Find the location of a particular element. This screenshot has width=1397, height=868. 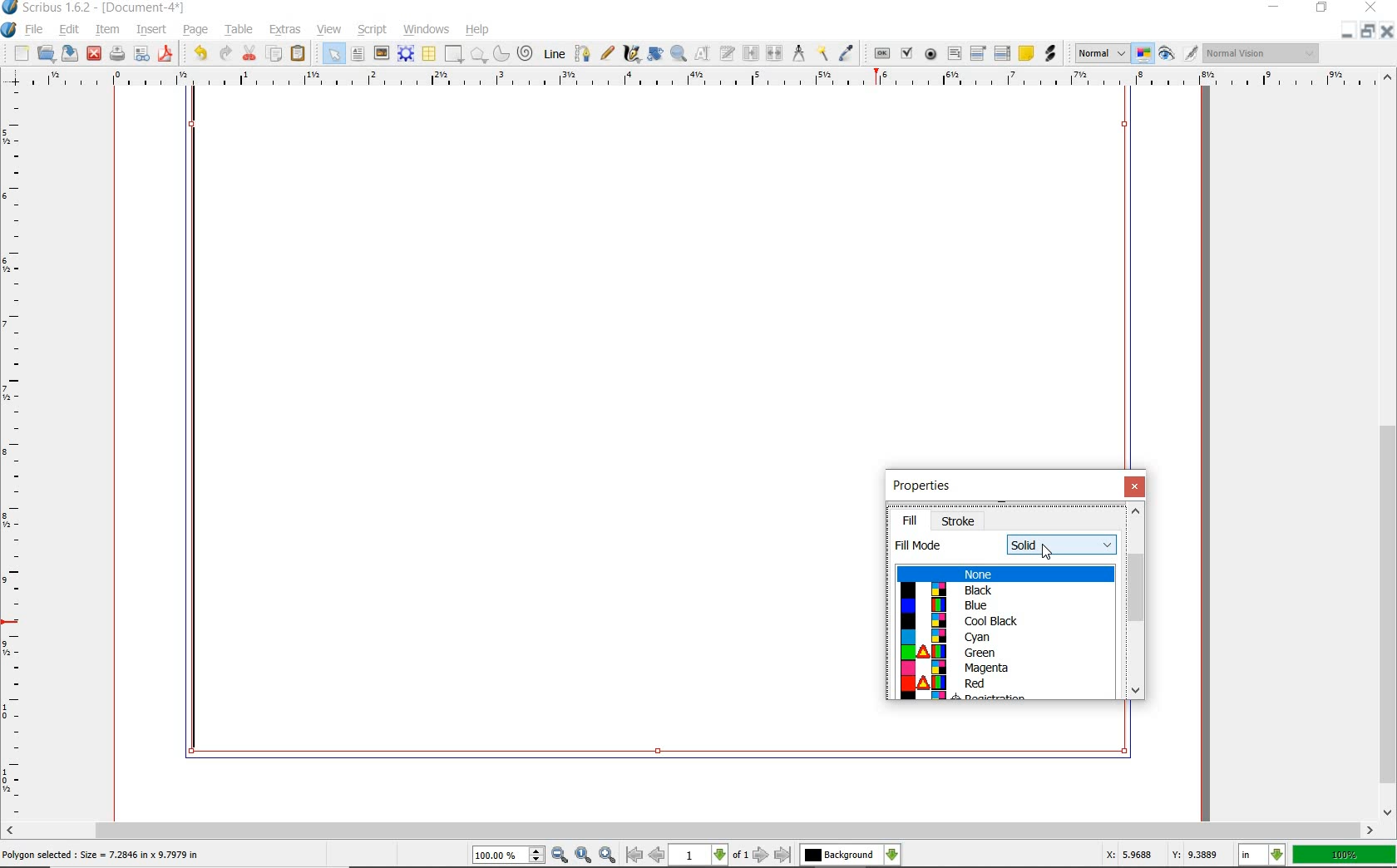

preflight verifier is located at coordinates (142, 54).